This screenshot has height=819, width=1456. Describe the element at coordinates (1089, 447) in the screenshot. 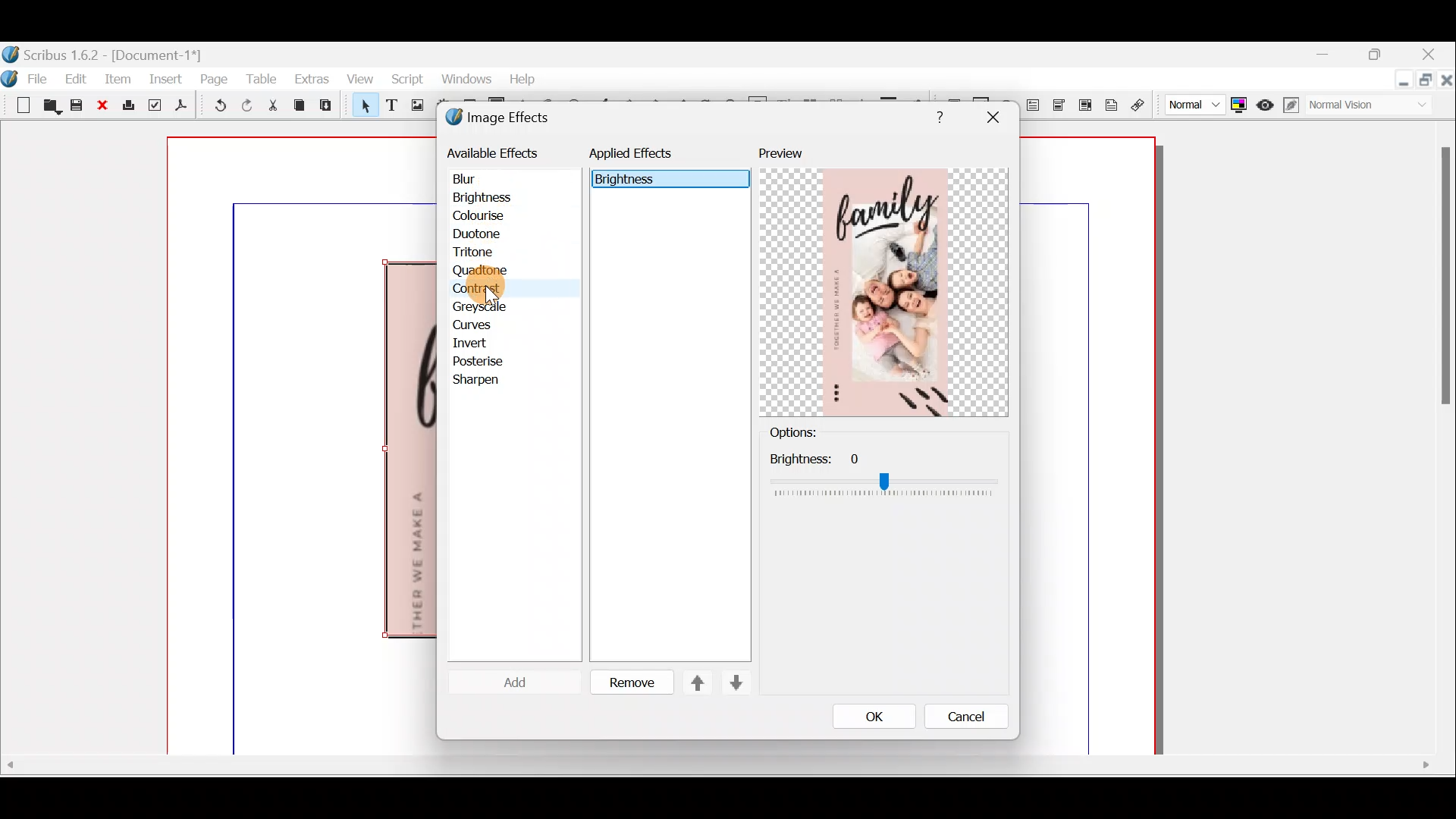

I see `canvas` at that location.